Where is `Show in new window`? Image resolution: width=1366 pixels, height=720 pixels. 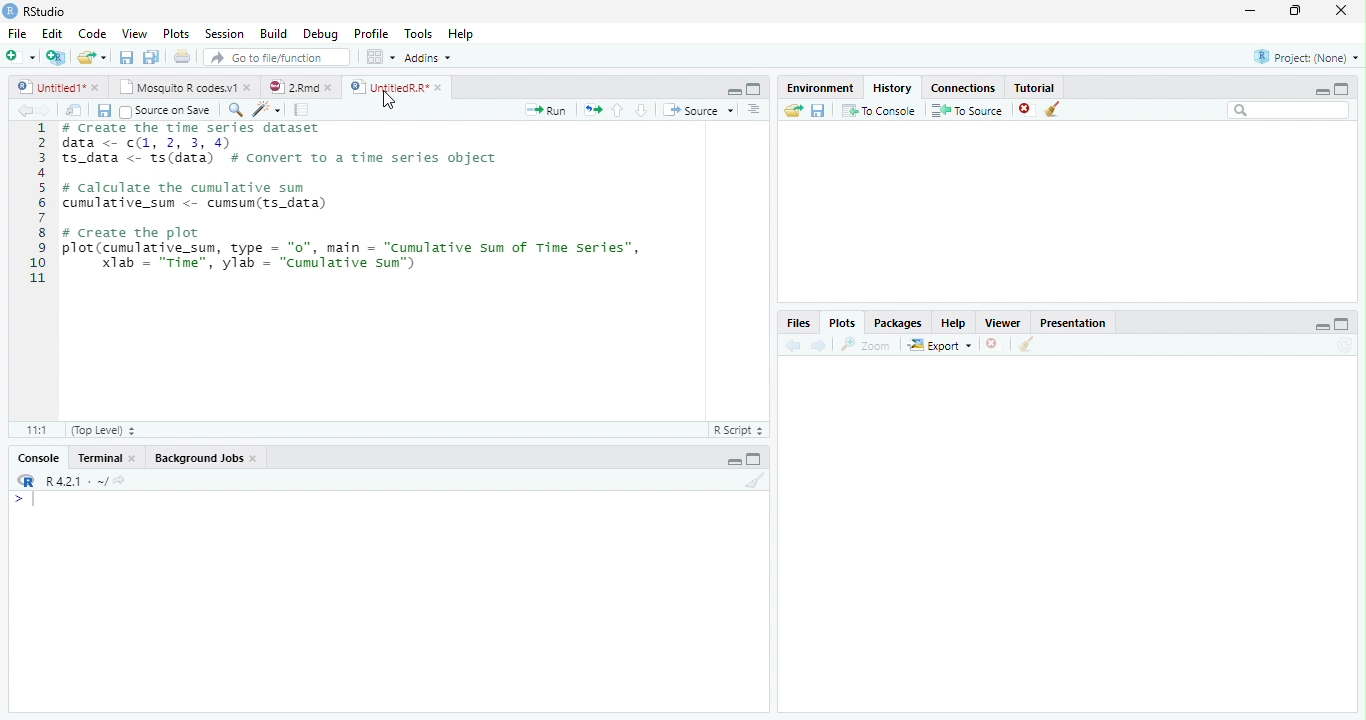 Show in new window is located at coordinates (73, 113).